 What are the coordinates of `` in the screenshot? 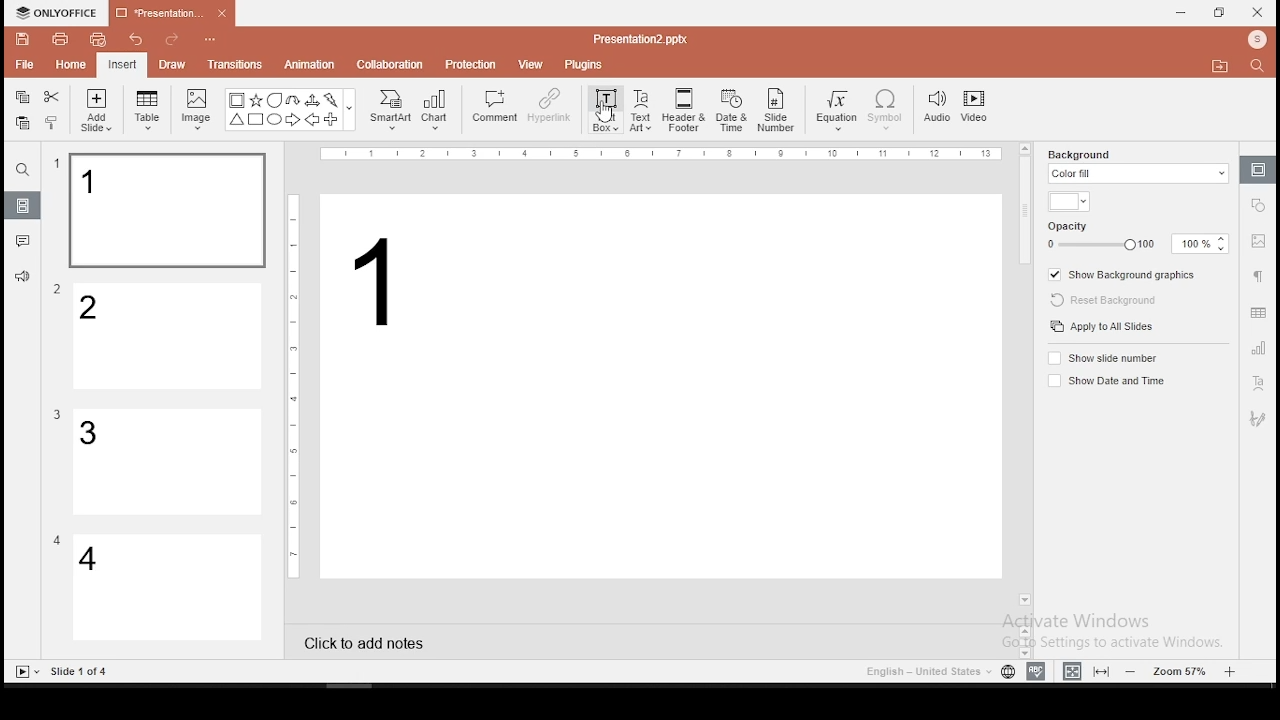 It's located at (58, 290).